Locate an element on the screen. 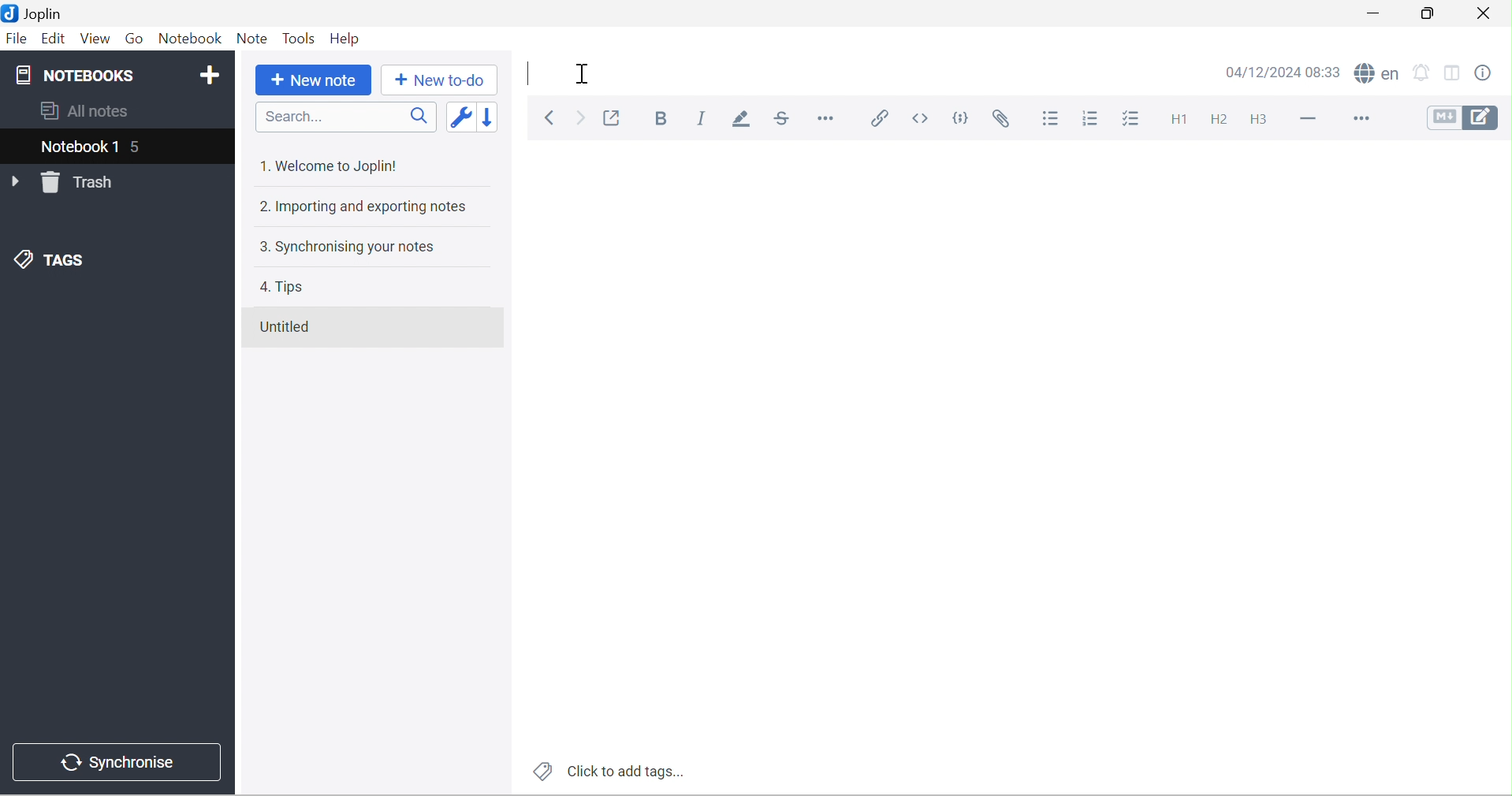 Image resolution: width=1512 pixels, height=796 pixels. Go is located at coordinates (139, 39).